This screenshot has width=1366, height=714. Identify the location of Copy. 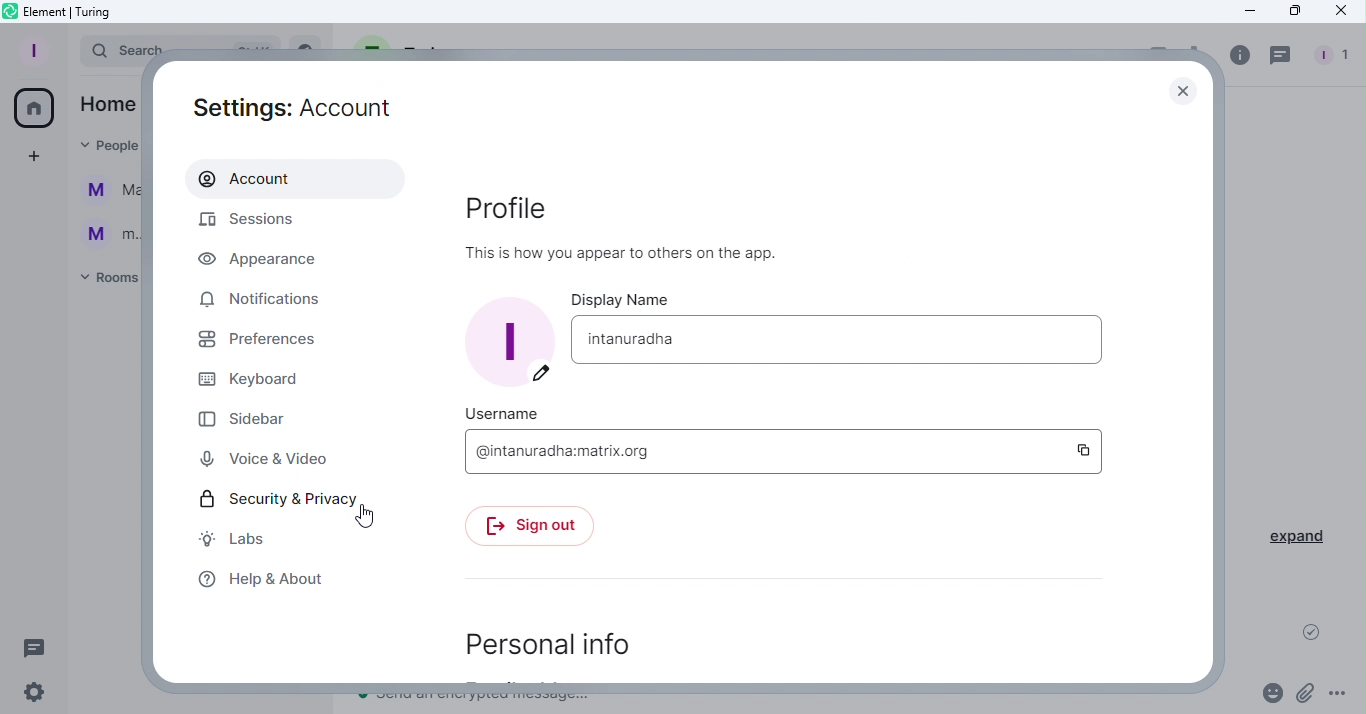
(1083, 449).